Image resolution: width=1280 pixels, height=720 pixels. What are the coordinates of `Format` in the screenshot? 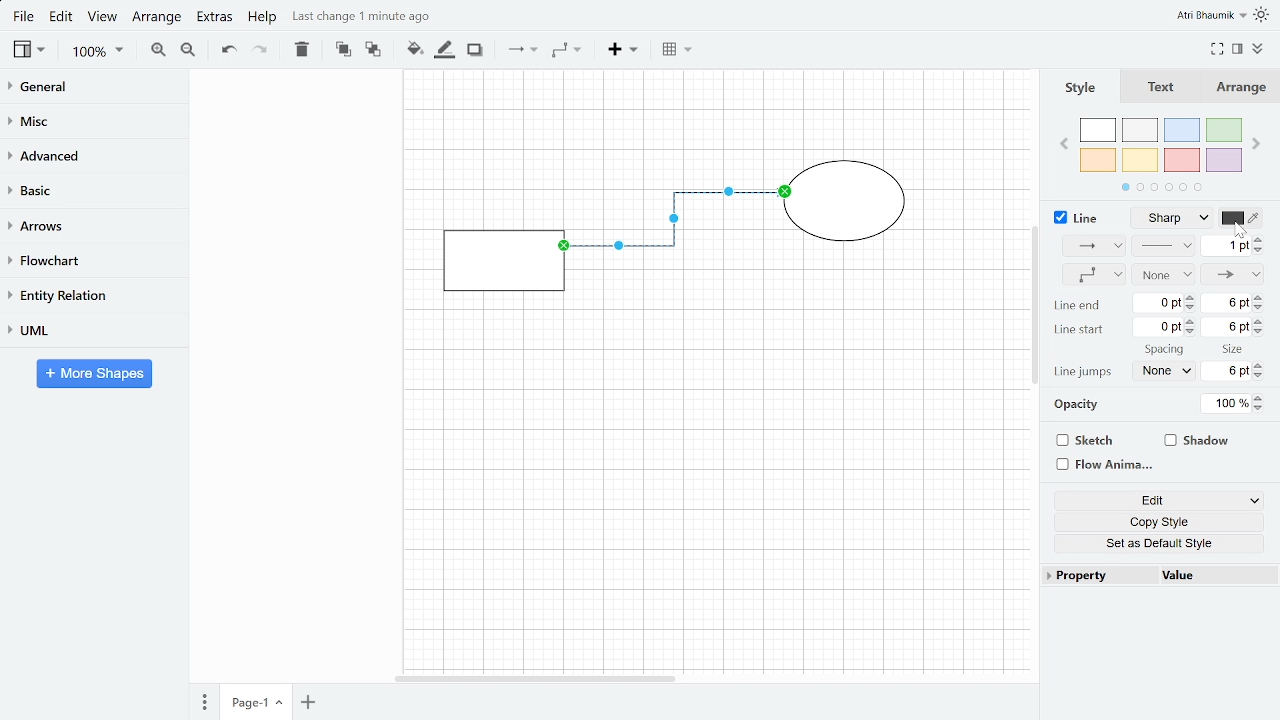 It's located at (1238, 49).